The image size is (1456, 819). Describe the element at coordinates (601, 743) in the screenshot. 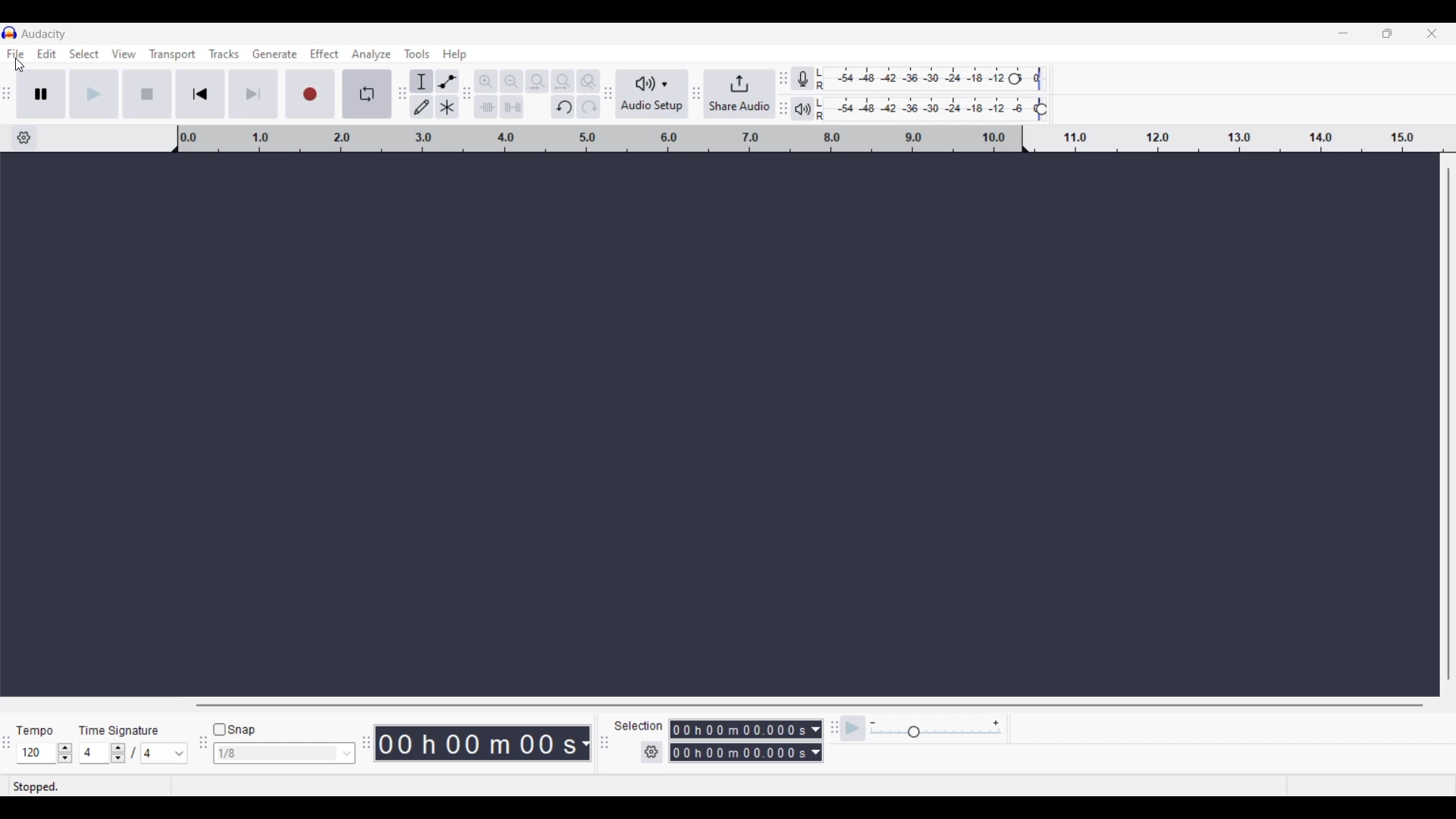

I see `selection toolbar` at that location.